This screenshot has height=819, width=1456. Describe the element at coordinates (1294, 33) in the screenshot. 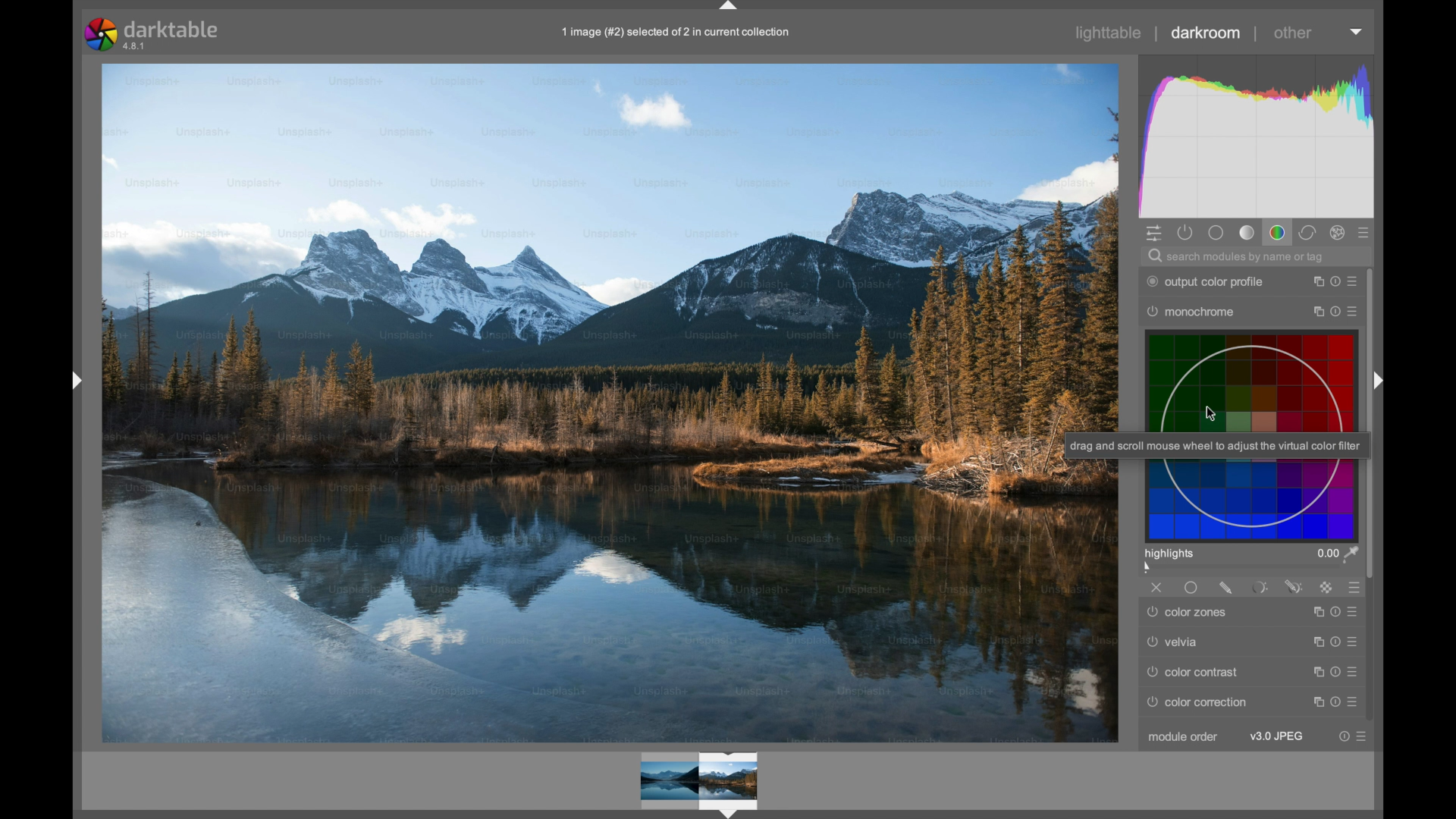

I see `other` at that location.